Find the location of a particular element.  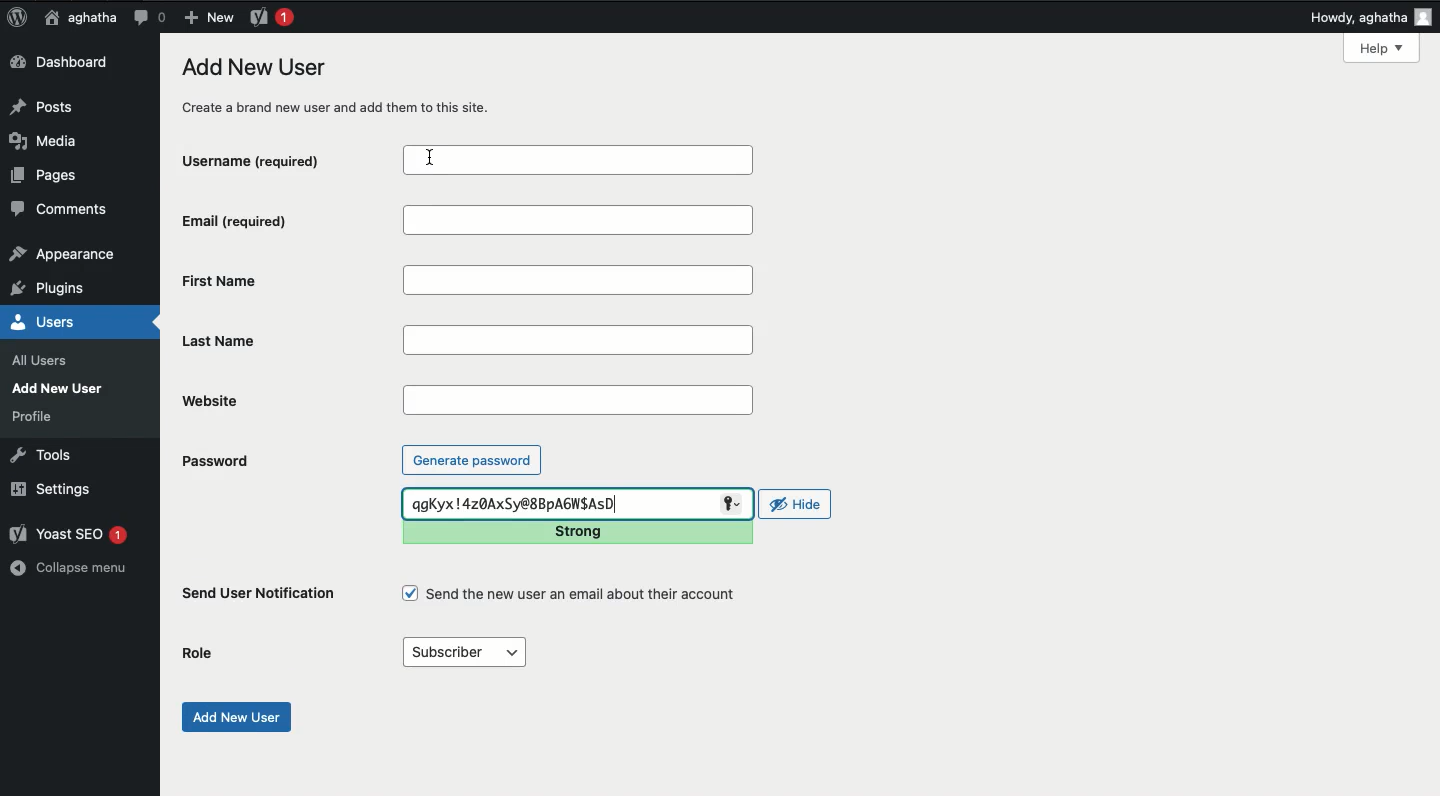

appearance is located at coordinates (63, 256).